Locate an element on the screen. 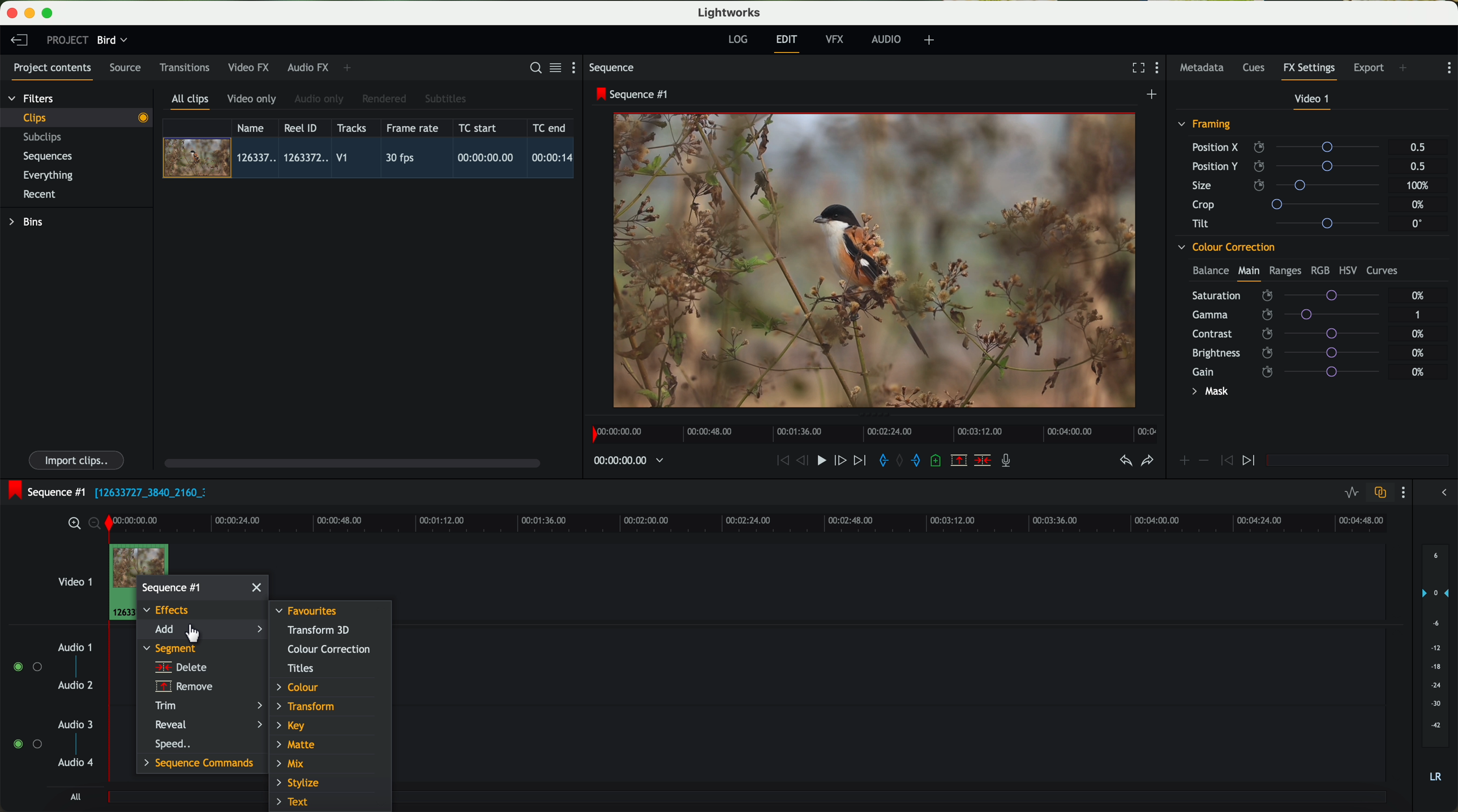 Image resolution: width=1458 pixels, height=812 pixels. cues is located at coordinates (1257, 68).